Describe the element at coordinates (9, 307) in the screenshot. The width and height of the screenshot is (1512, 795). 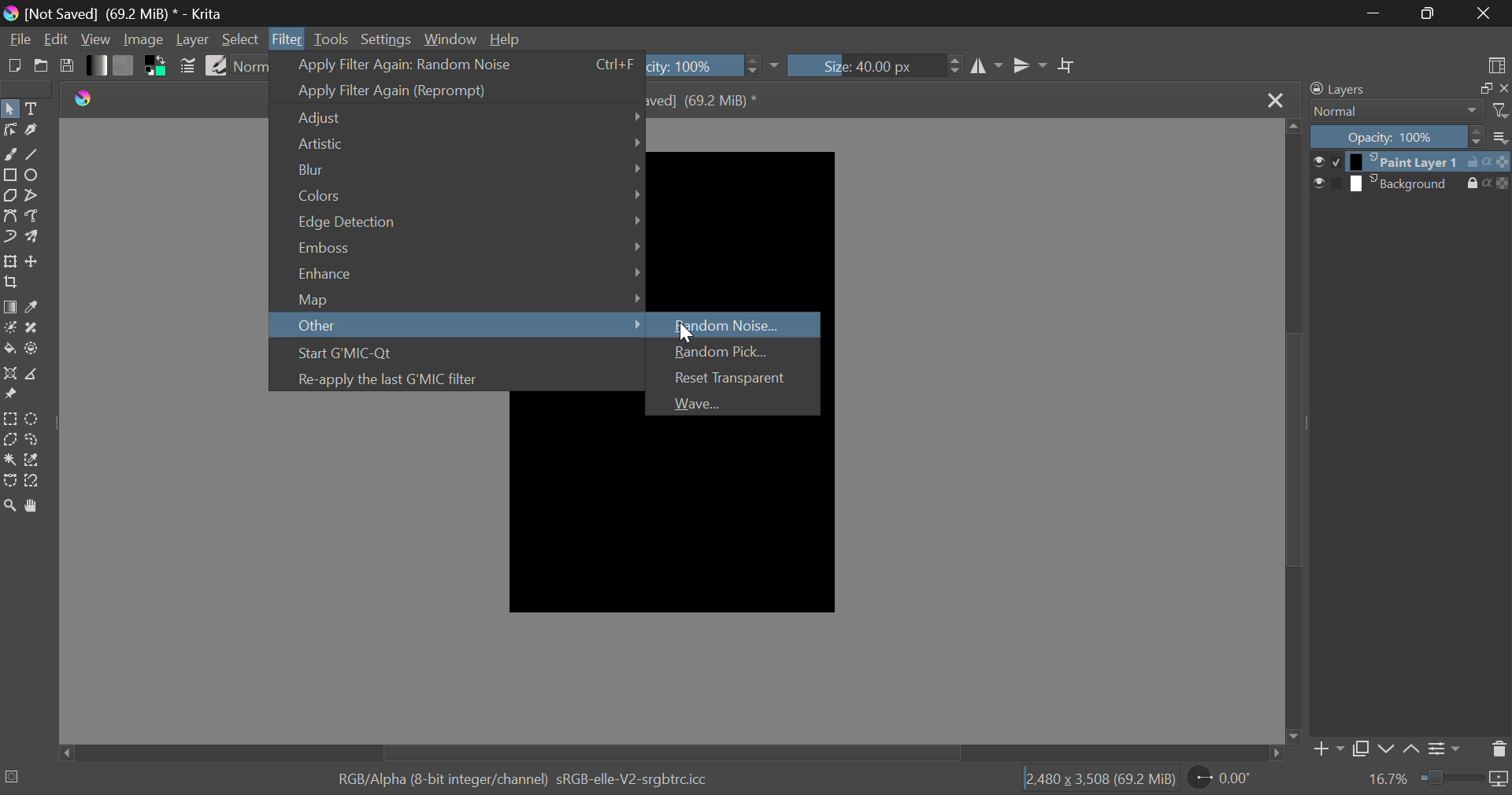
I see `Gradient Fill` at that location.